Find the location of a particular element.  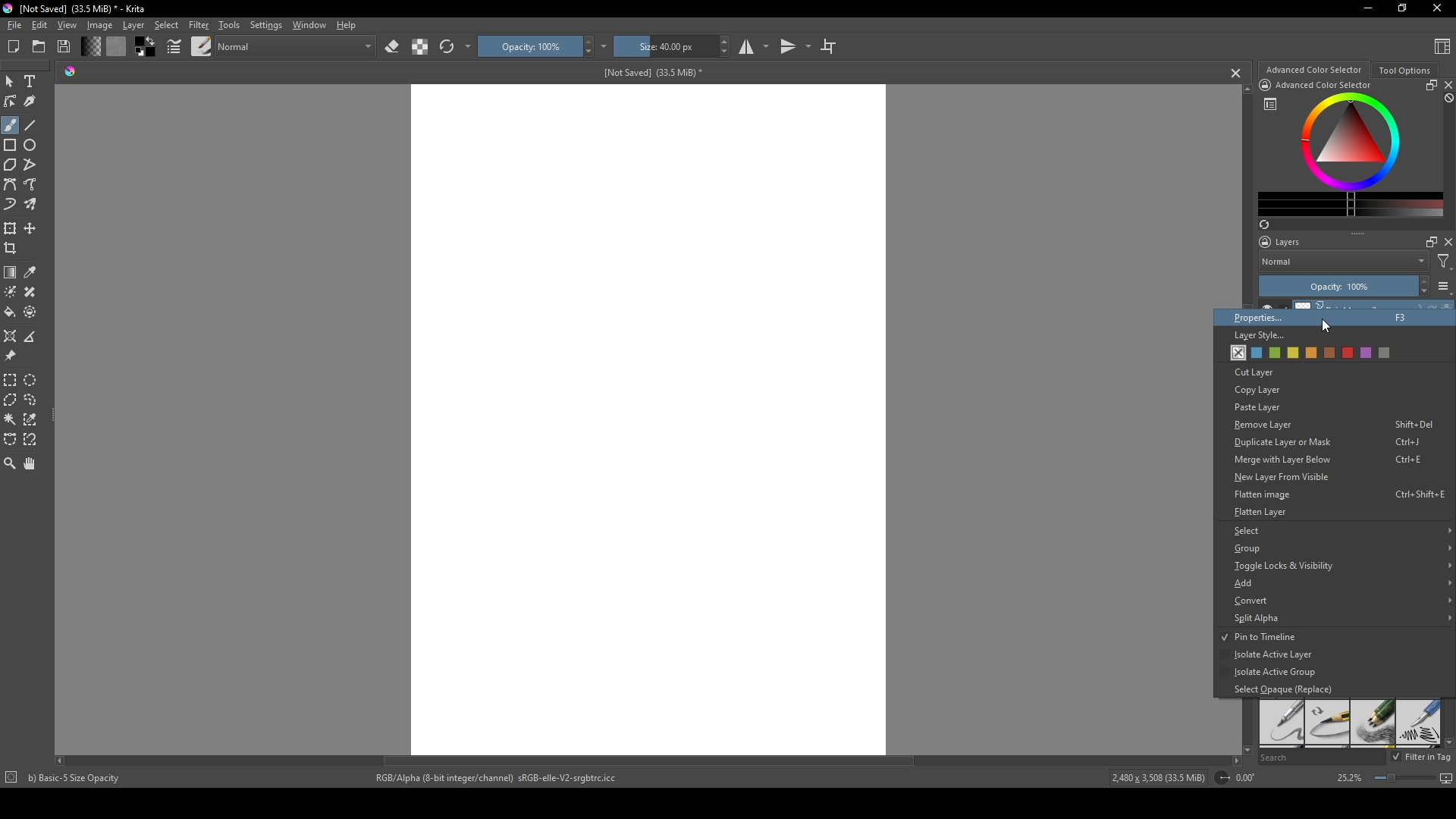

minimize is located at coordinates (1369, 8).